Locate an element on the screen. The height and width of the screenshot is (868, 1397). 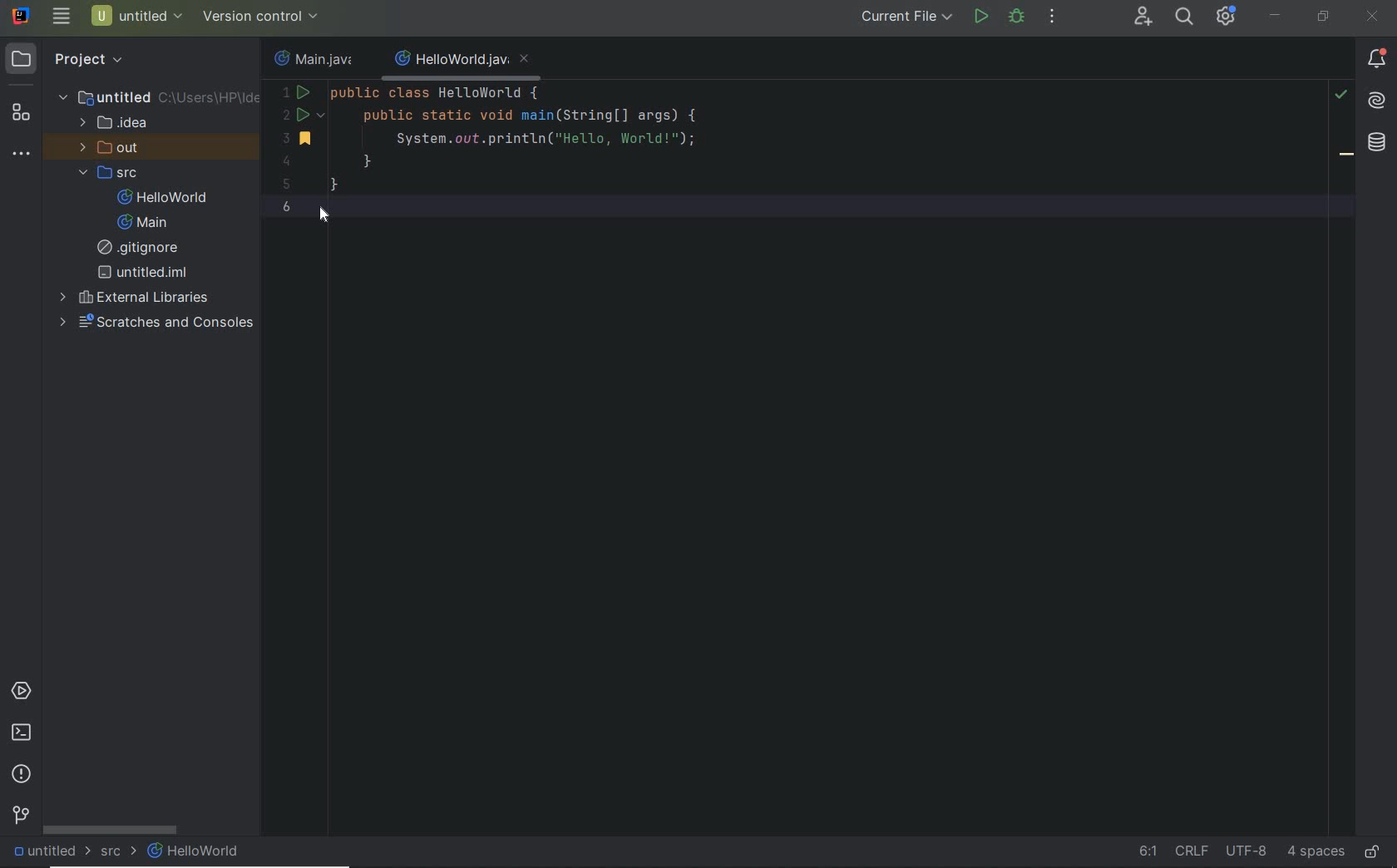
fine encoding is located at coordinates (1246, 853).